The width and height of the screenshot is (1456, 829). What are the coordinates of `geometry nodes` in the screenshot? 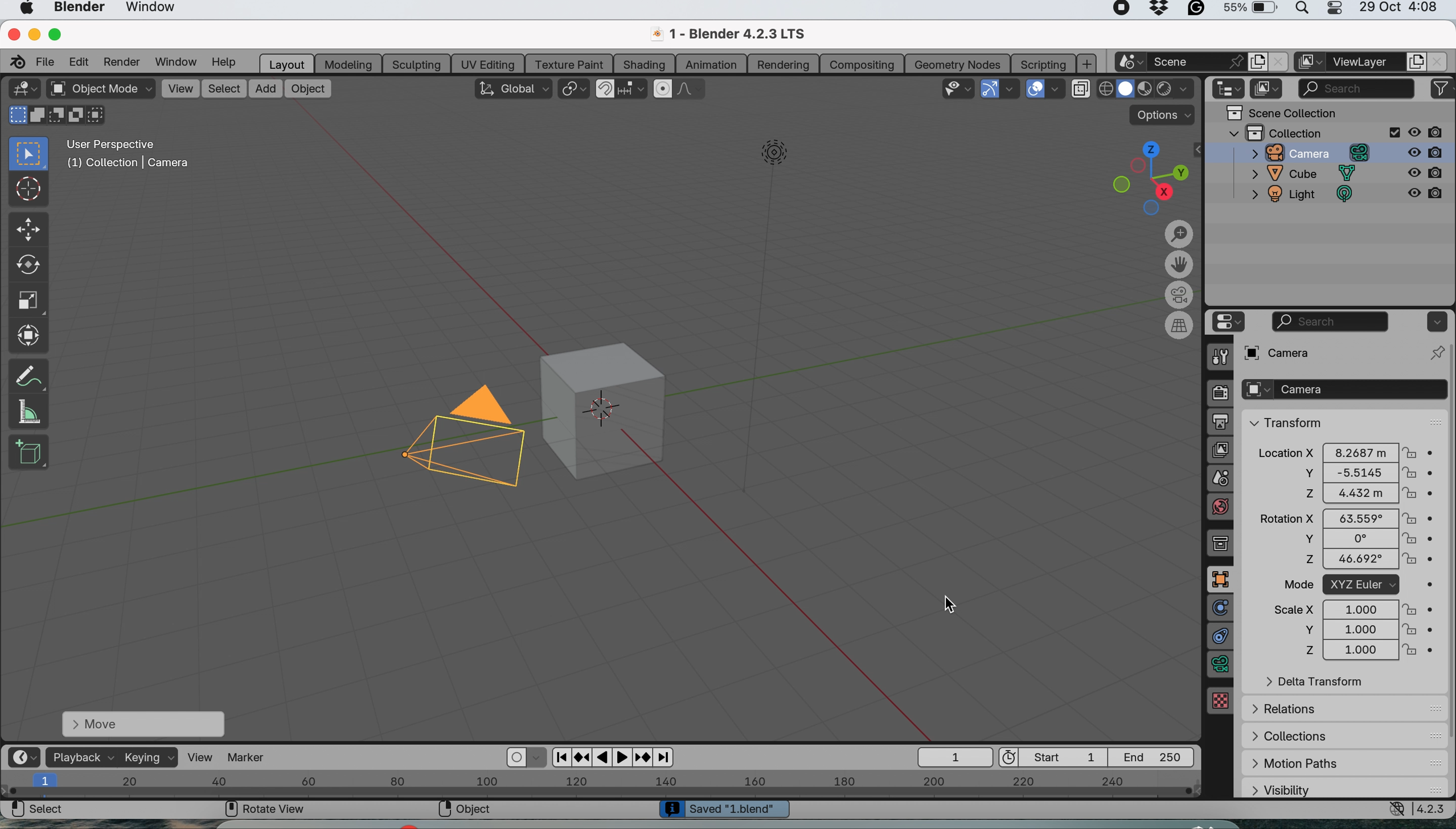 It's located at (959, 63).